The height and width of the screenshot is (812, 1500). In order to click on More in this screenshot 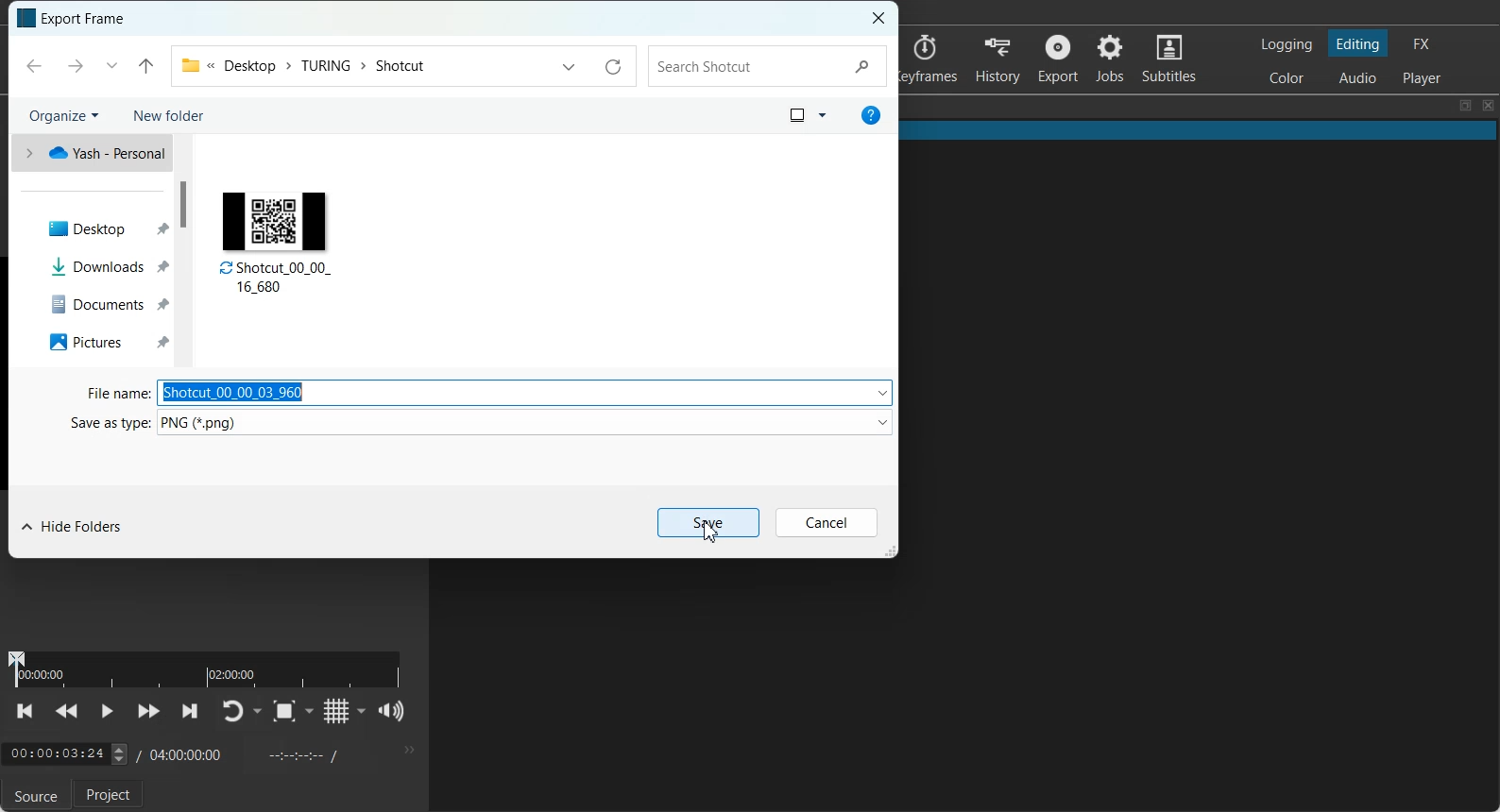, I will do `click(407, 750)`.